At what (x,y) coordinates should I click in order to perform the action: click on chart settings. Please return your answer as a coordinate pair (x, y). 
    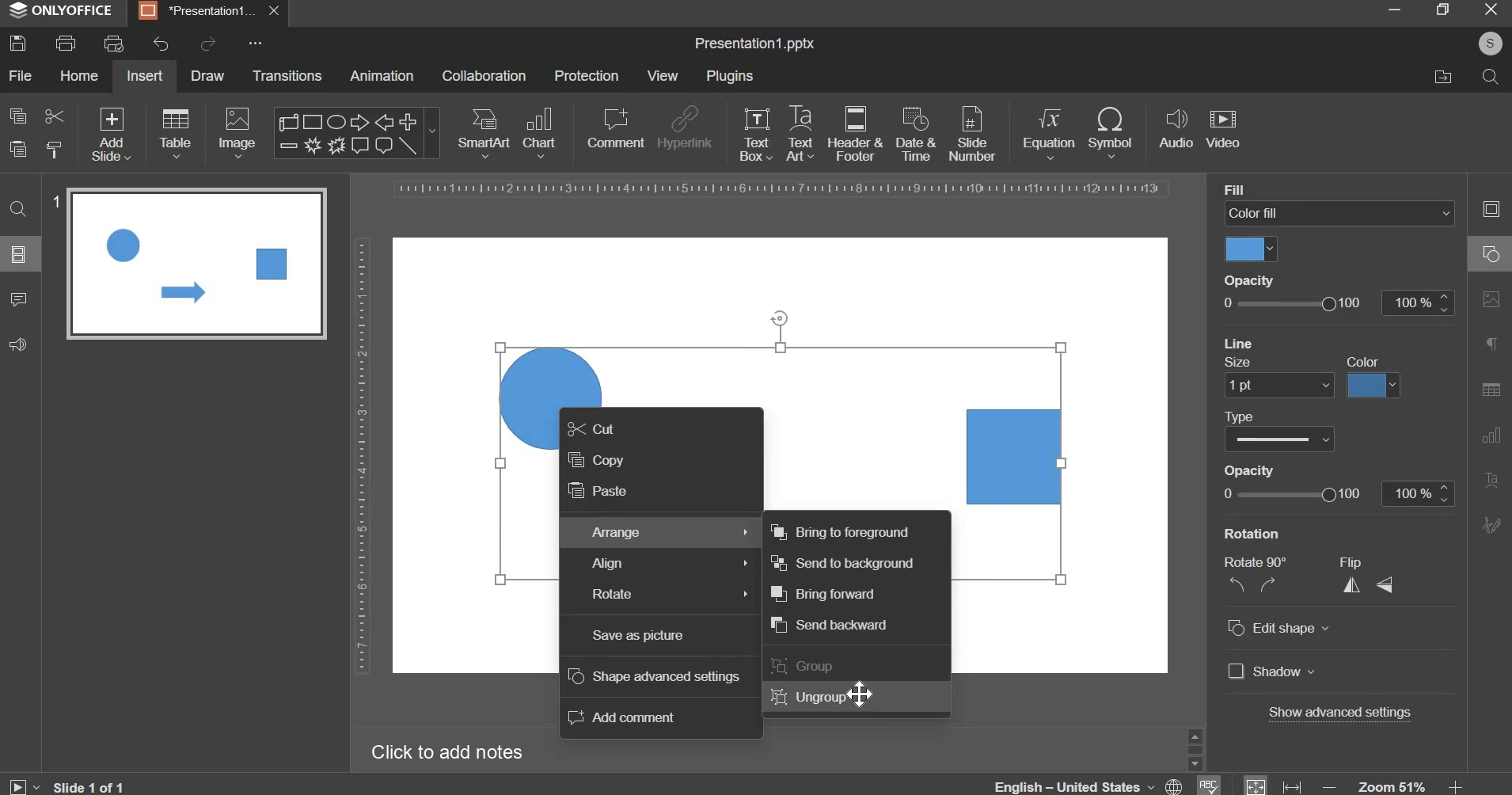
    Looking at the image, I should click on (1487, 435).